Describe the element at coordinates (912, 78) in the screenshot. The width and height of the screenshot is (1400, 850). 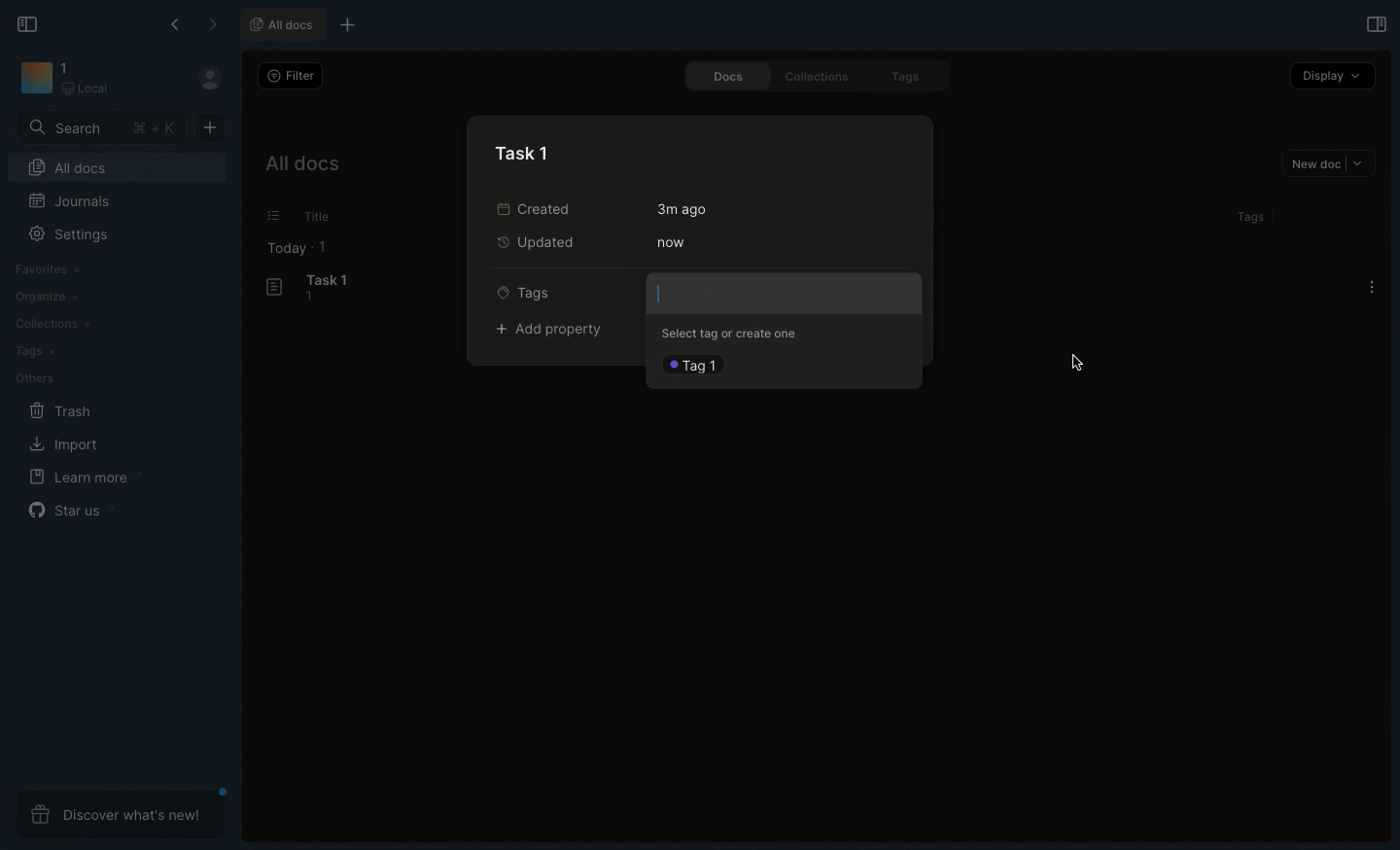
I see `Tags` at that location.